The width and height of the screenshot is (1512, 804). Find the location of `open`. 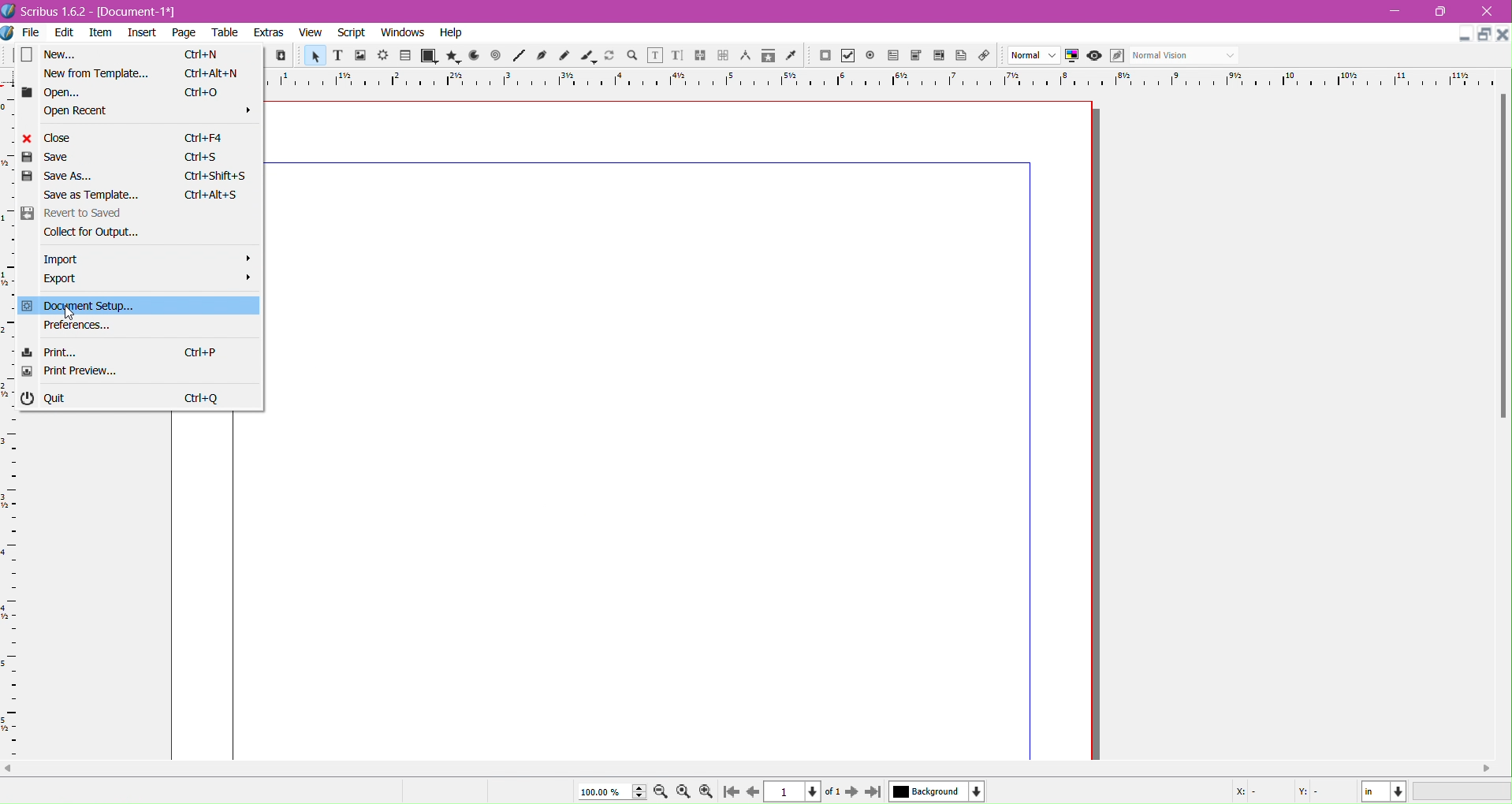

open is located at coordinates (50, 93).